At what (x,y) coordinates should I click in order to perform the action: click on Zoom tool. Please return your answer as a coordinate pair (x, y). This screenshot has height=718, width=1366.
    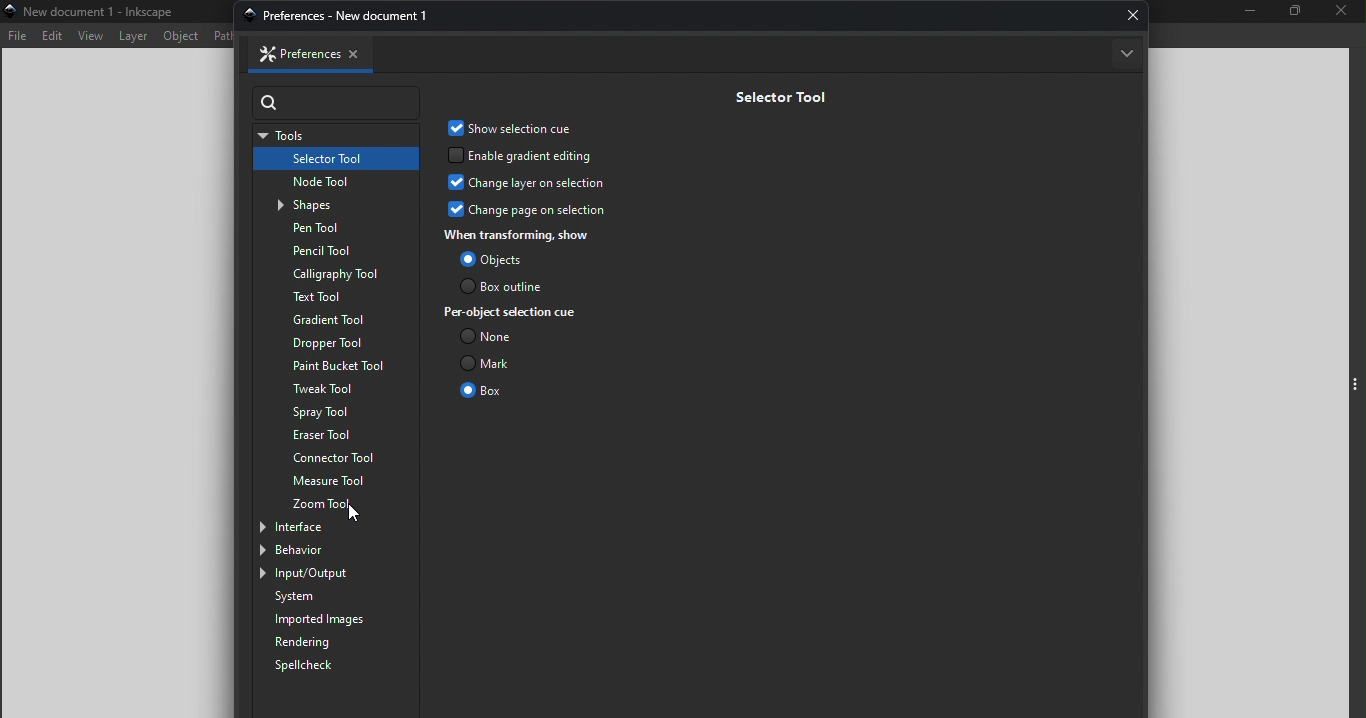
    Looking at the image, I should click on (317, 503).